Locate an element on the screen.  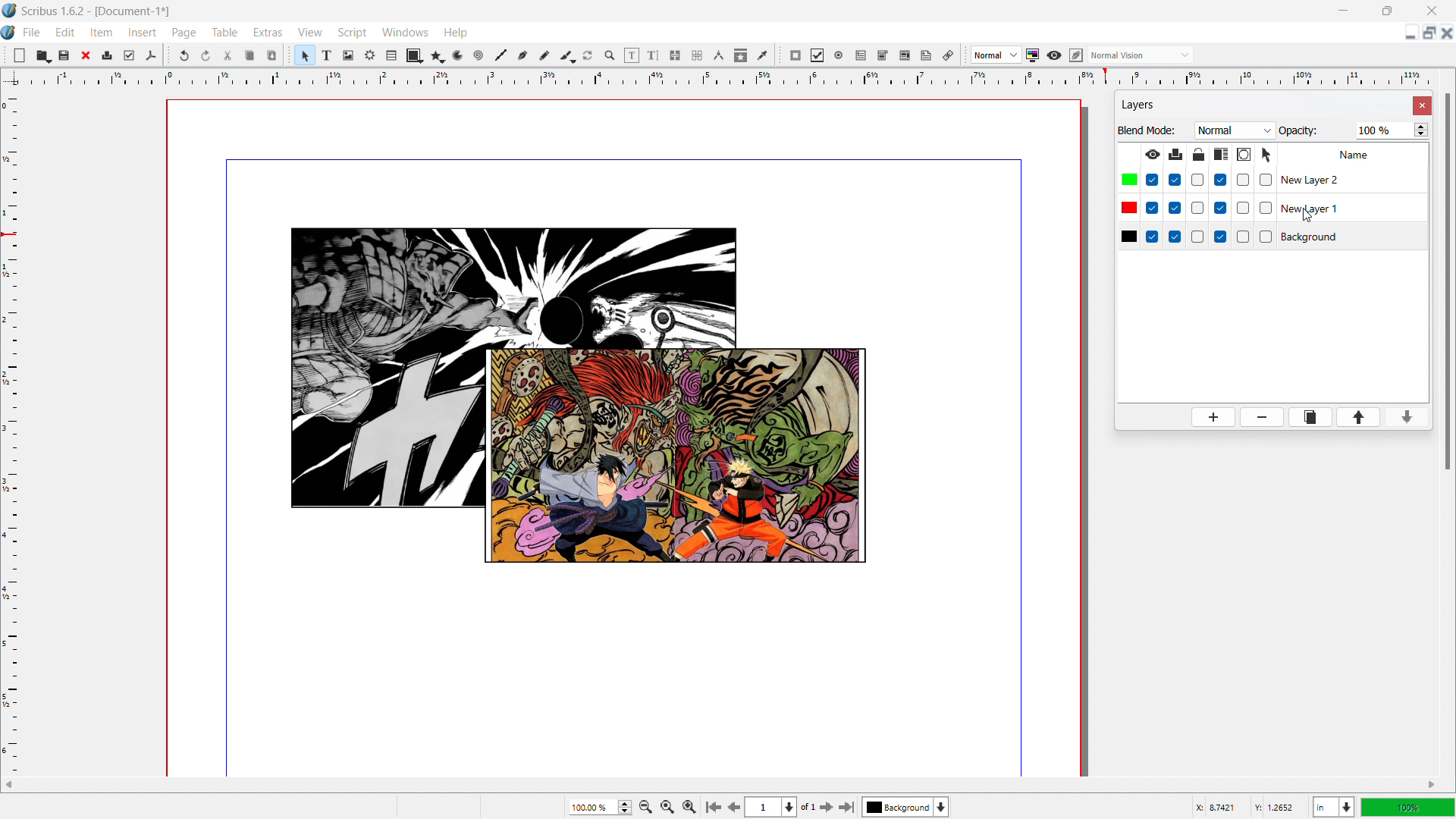
close is located at coordinates (87, 55).